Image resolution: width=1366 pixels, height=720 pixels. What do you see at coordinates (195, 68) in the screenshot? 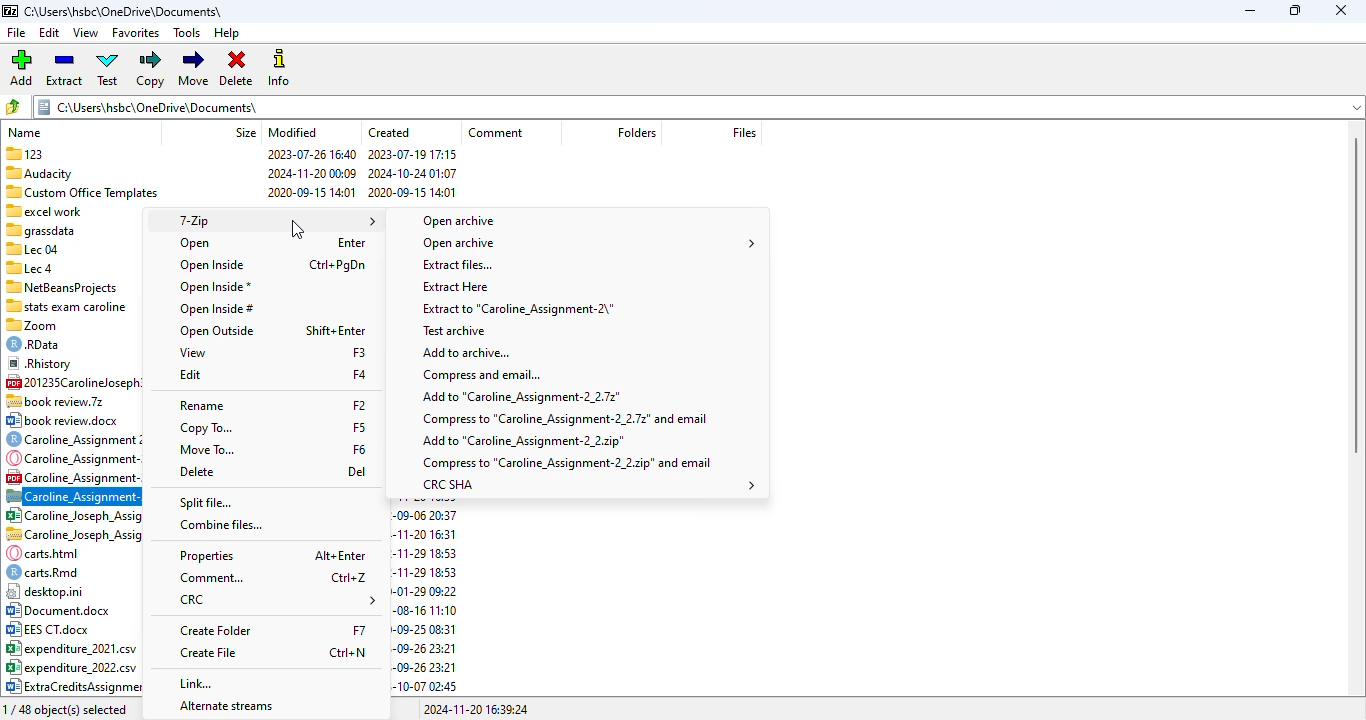
I see `move` at bounding box center [195, 68].